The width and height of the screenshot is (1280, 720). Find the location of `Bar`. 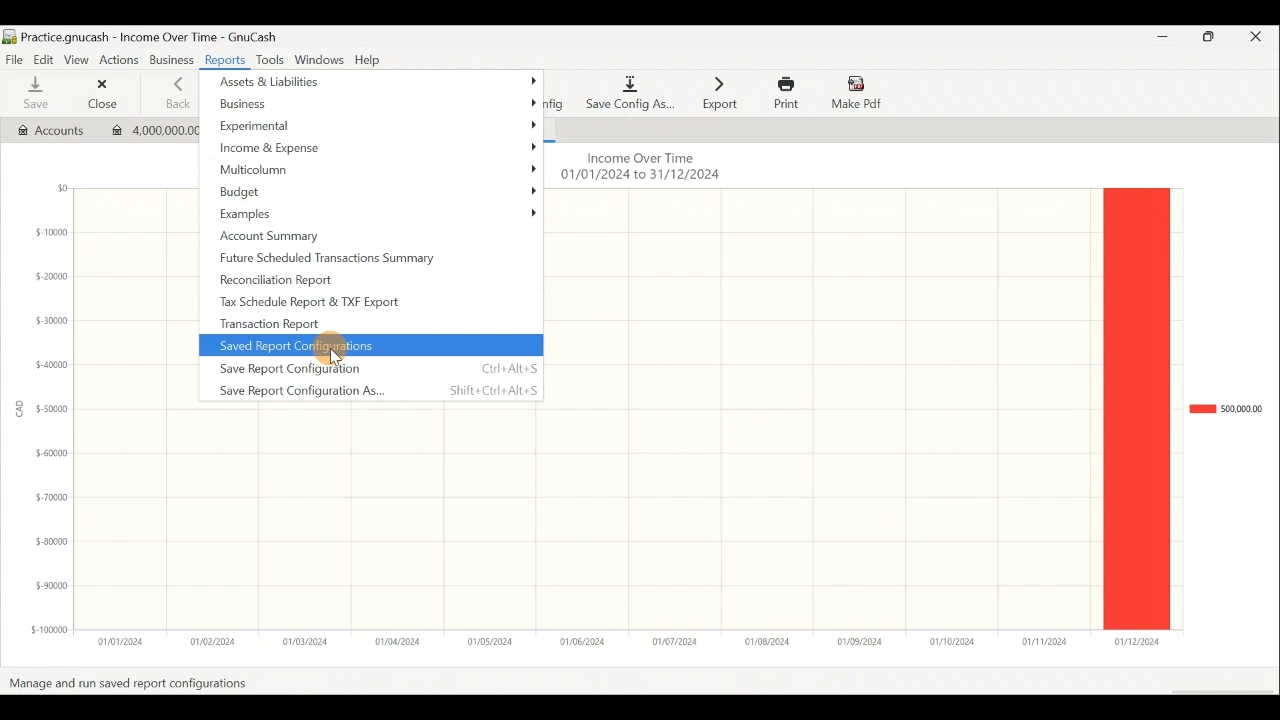

Bar is located at coordinates (1136, 408).